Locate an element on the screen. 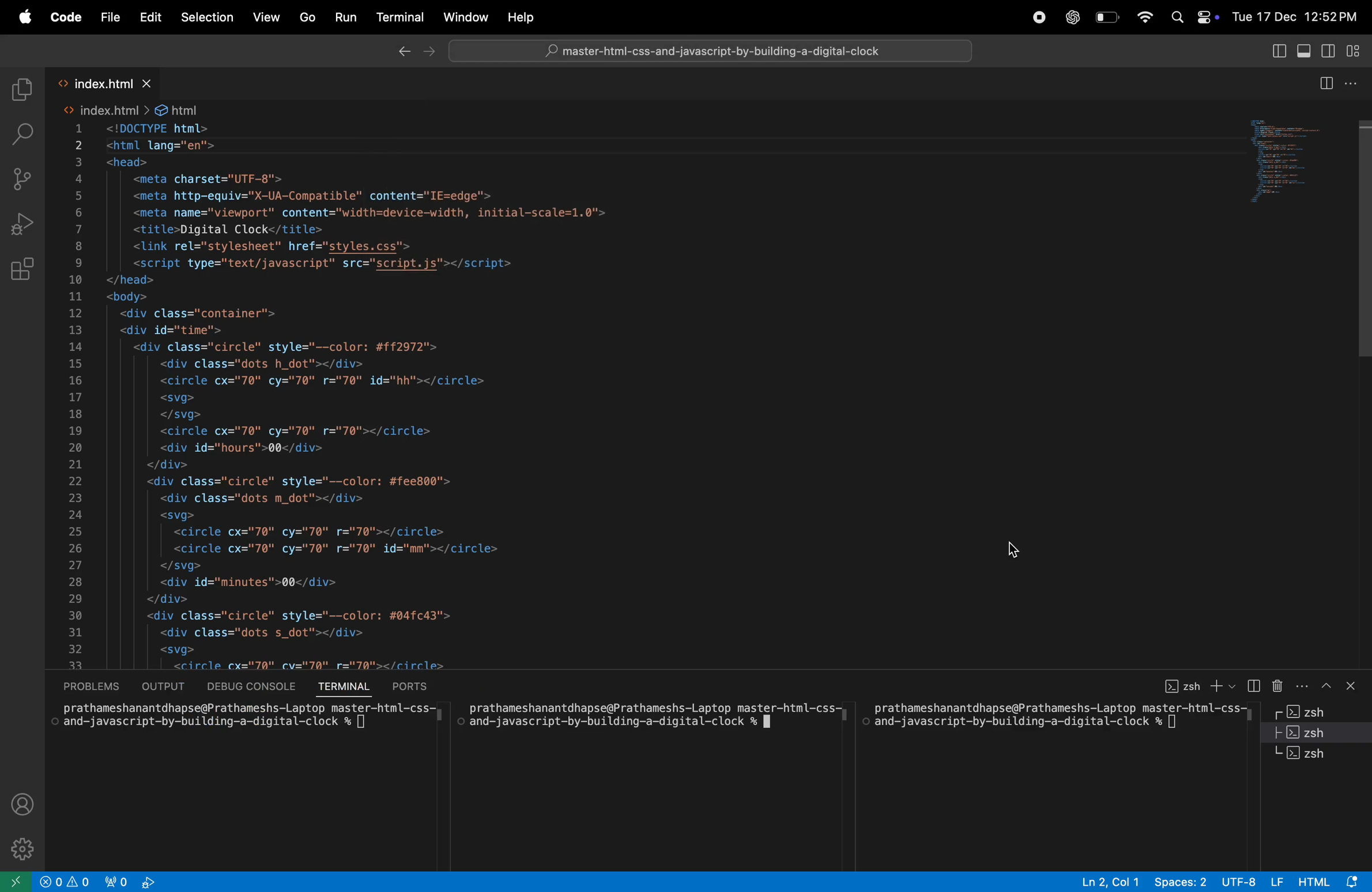 Image resolution: width=1372 pixels, height=892 pixels. search is located at coordinates (24, 134).